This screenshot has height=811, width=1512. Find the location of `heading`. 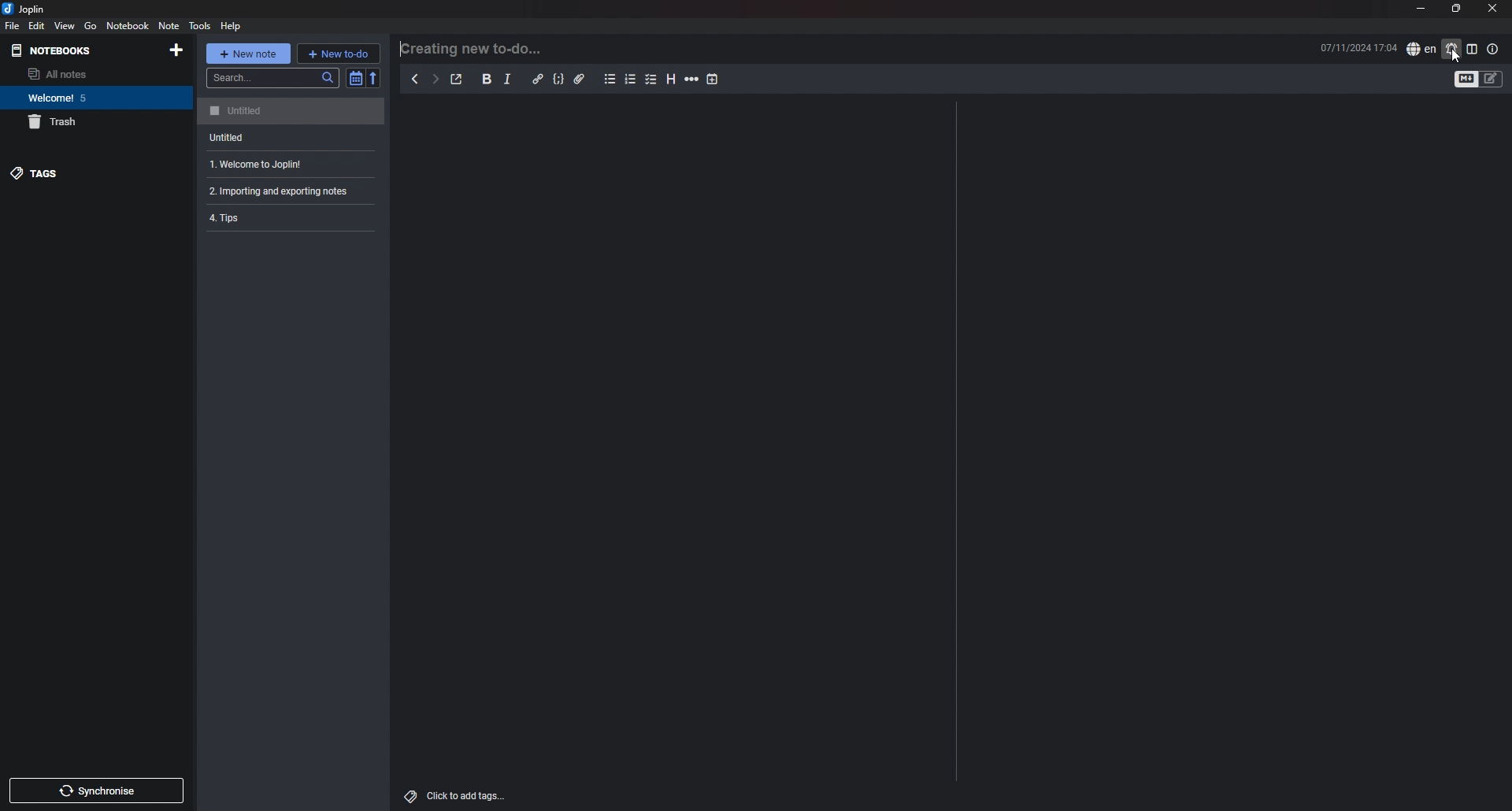

heading is located at coordinates (671, 80).